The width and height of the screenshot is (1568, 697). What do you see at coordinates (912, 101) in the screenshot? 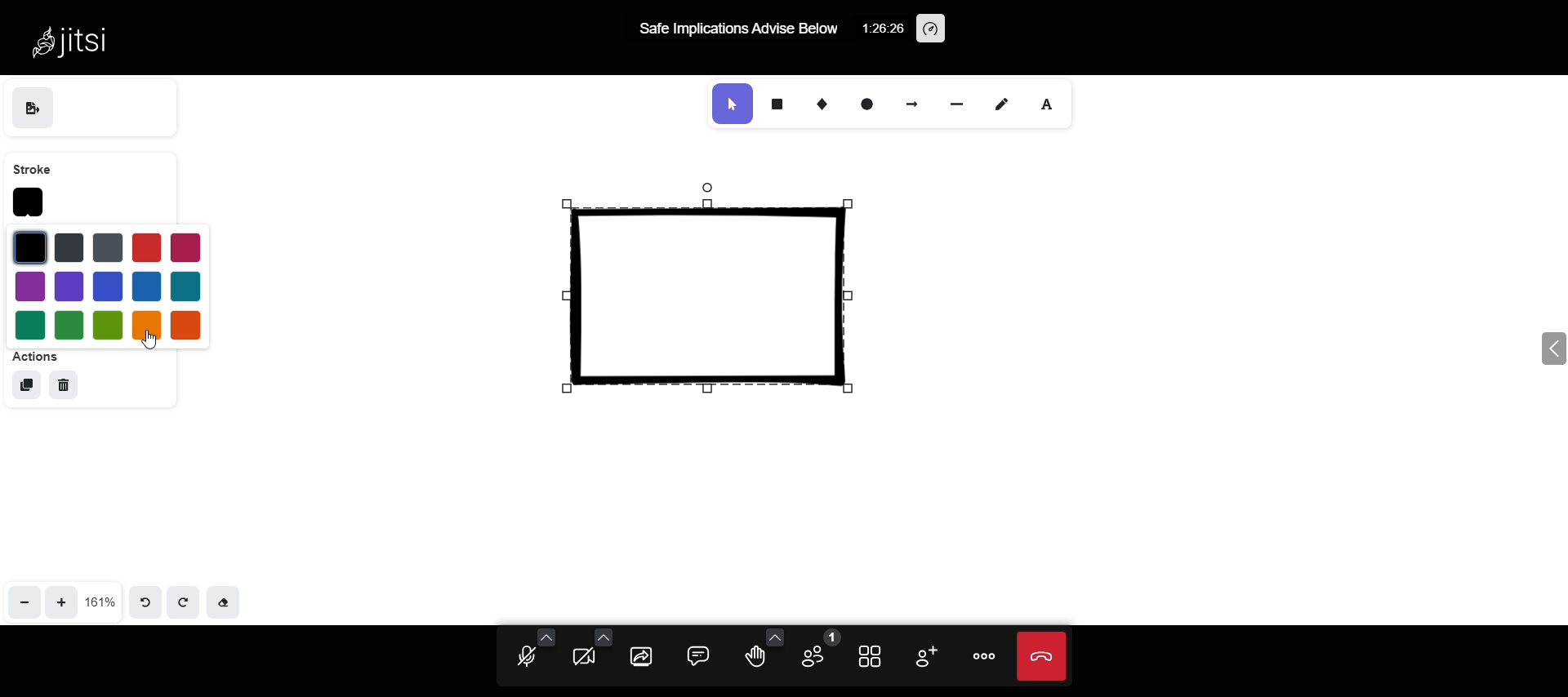
I see `arrow` at bounding box center [912, 101].